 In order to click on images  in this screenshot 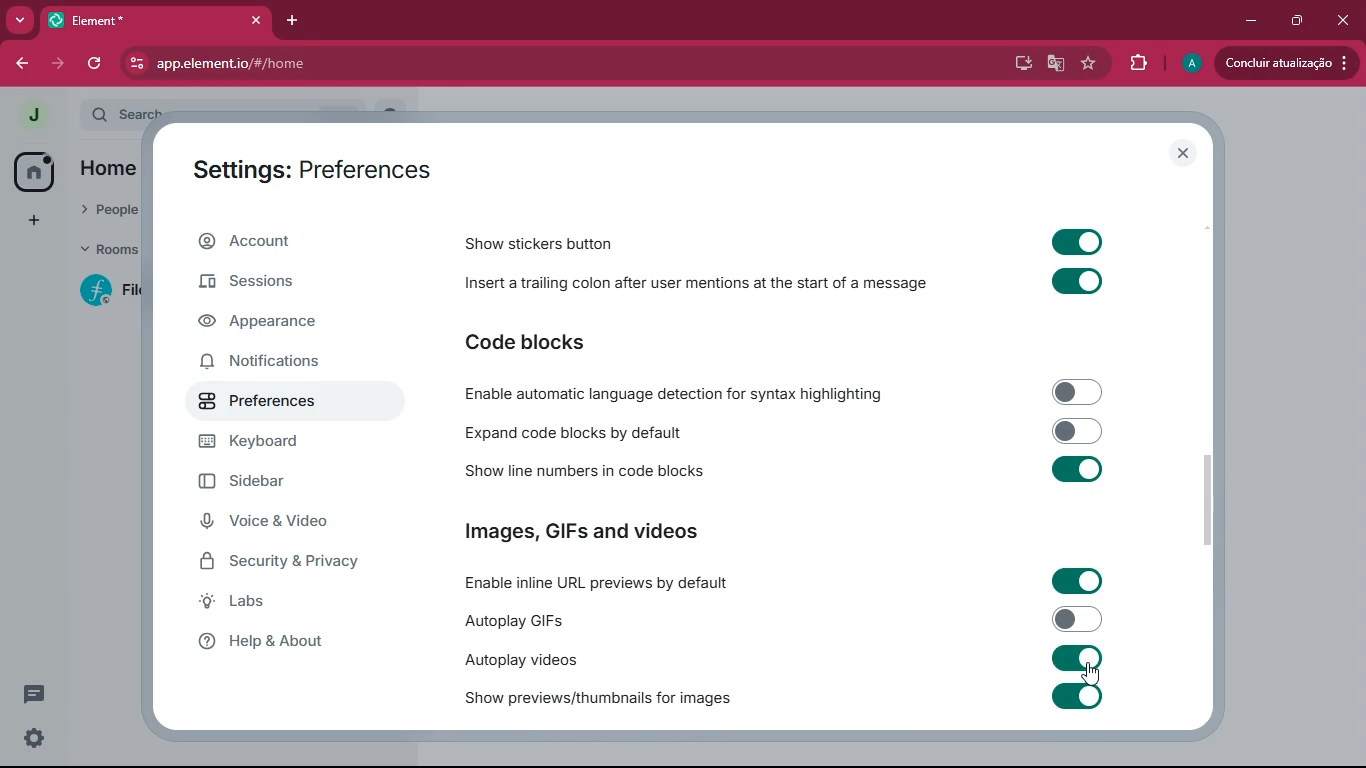, I will do `click(584, 533)`.